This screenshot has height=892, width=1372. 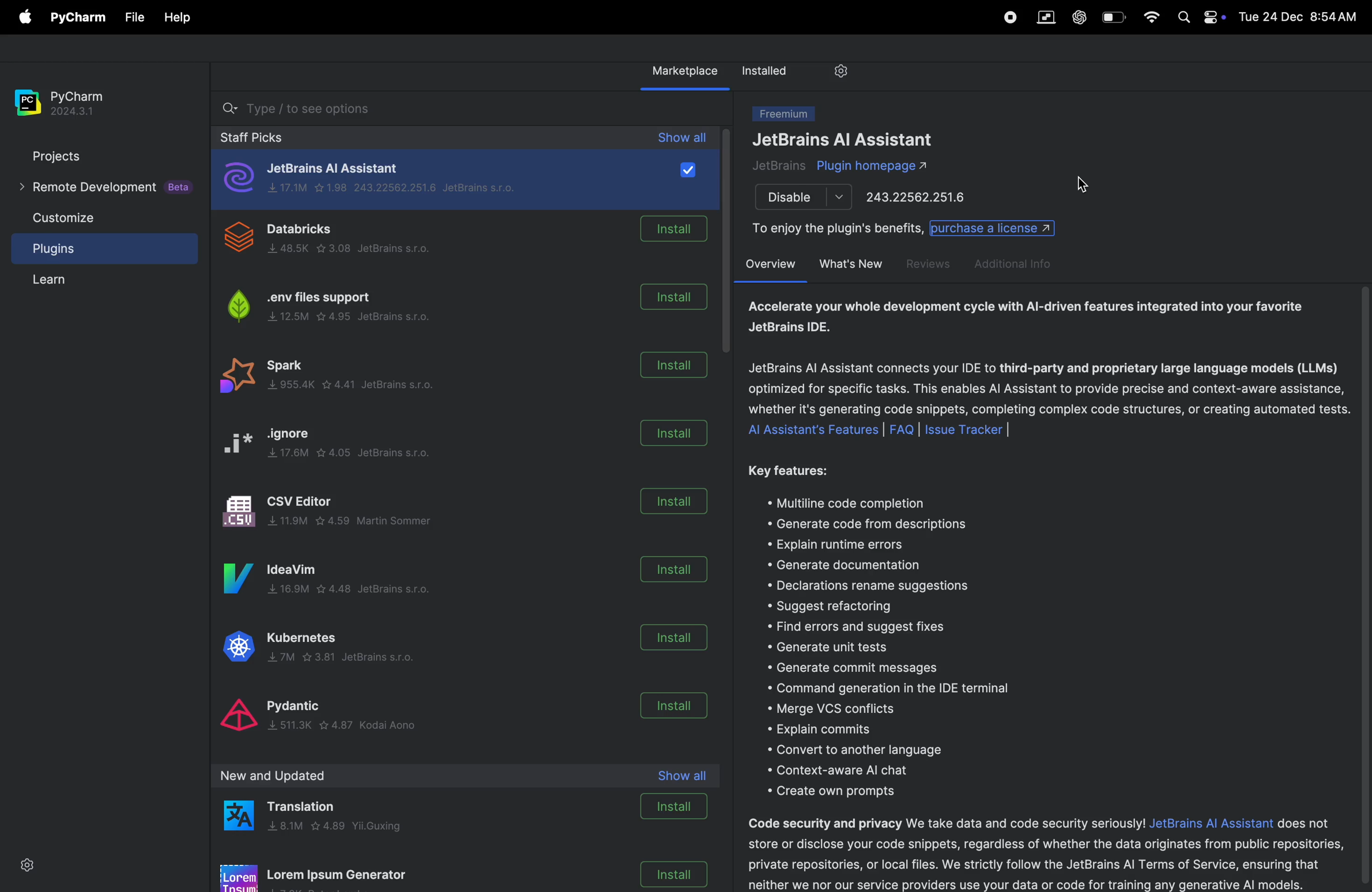 What do you see at coordinates (330, 727) in the screenshot?
I see `pydantic` at bounding box center [330, 727].